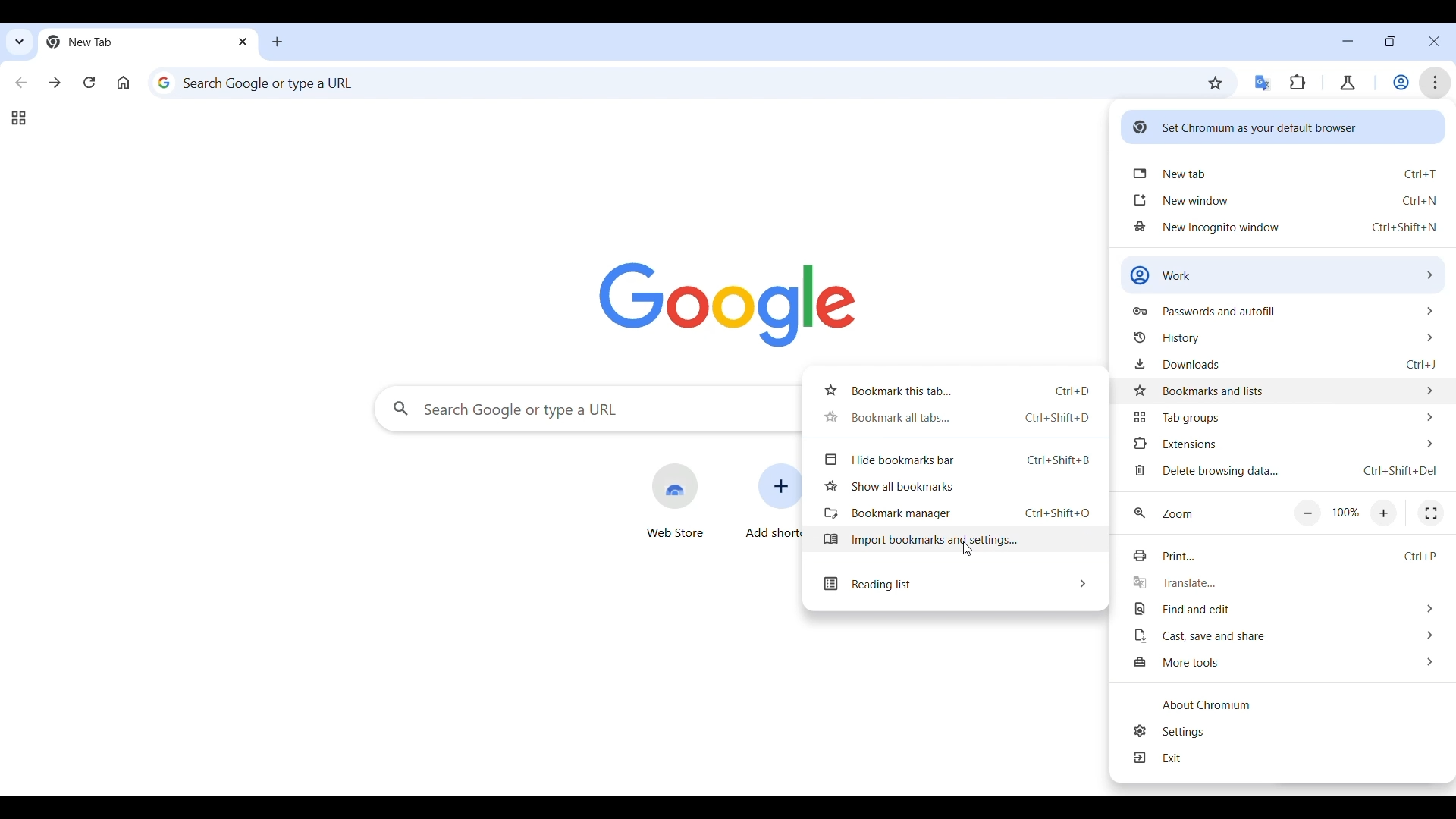 Image resolution: width=1456 pixels, height=819 pixels. What do you see at coordinates (968, 549) in the screenshot?
I see `Cursor clicking on Import bookmarks and settings` at bounding box center [968, 549].